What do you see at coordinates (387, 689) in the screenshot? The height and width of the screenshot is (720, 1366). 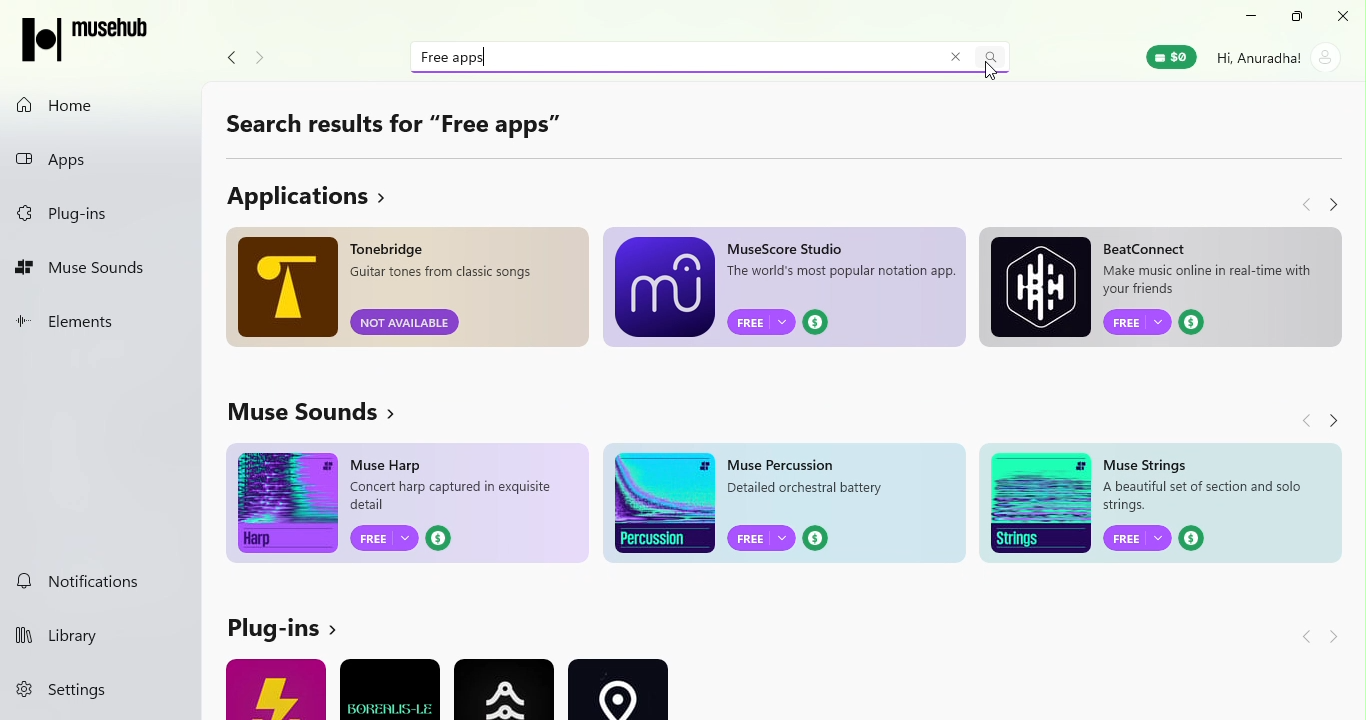 I see `Input` at bounding box center [387, 689].